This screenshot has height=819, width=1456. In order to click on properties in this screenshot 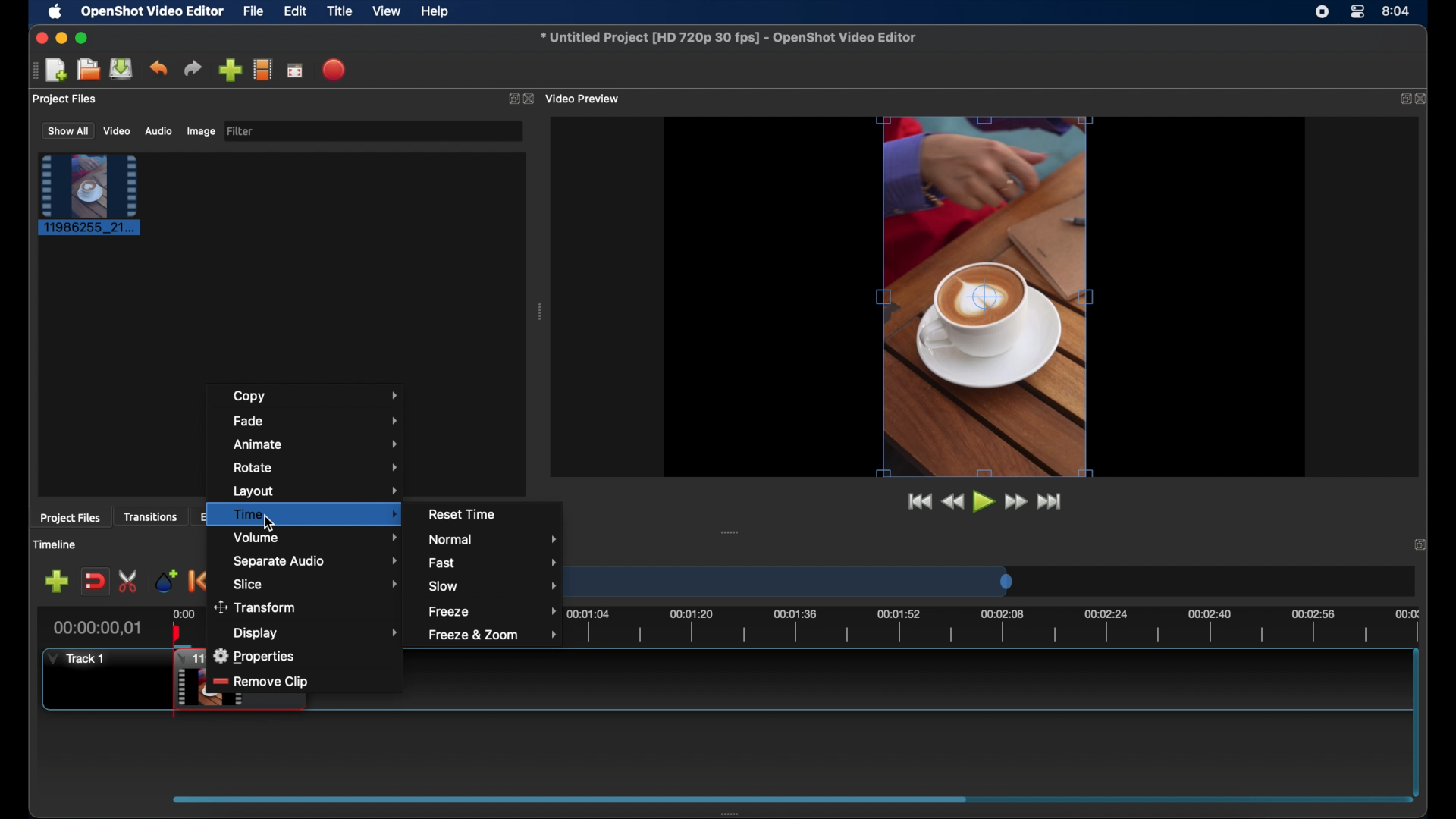, I will do `click(253, 656)`.